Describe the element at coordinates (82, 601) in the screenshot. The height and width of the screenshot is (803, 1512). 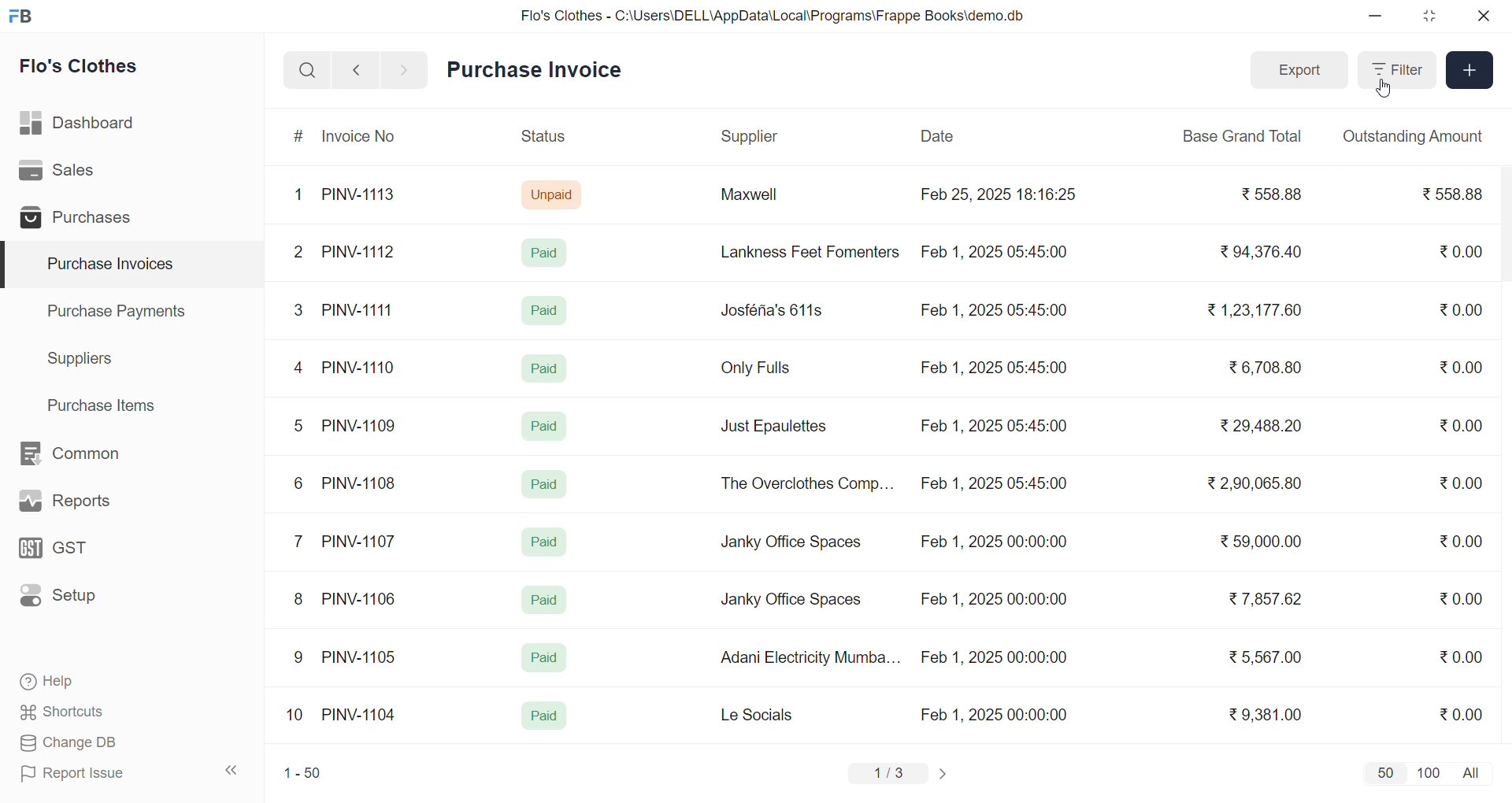
I see `Setup` at that location.